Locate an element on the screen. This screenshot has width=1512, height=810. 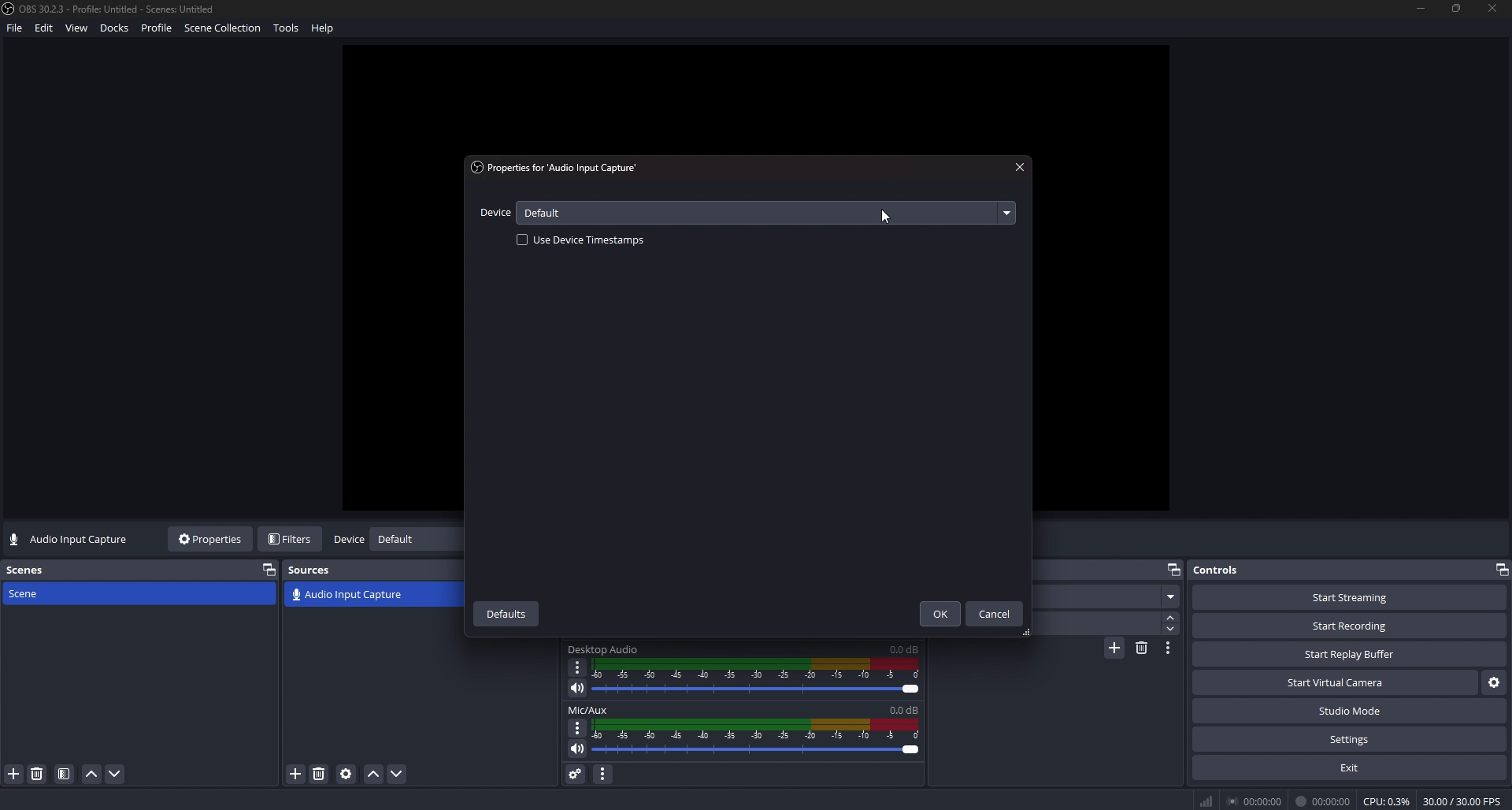
defaults is located at coordinates (507, 613).